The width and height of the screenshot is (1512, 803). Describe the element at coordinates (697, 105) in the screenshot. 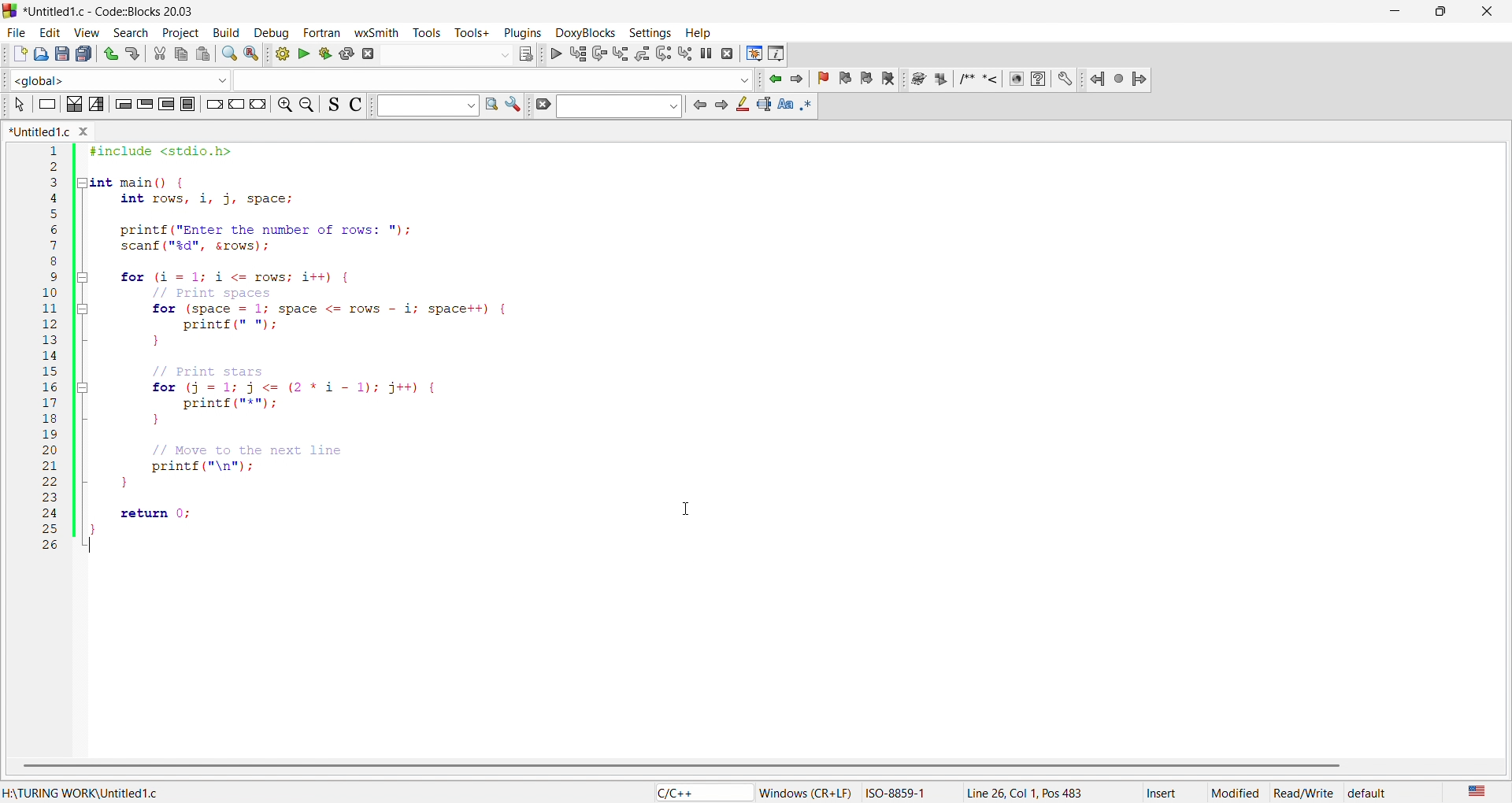

I see `icon` at that location.